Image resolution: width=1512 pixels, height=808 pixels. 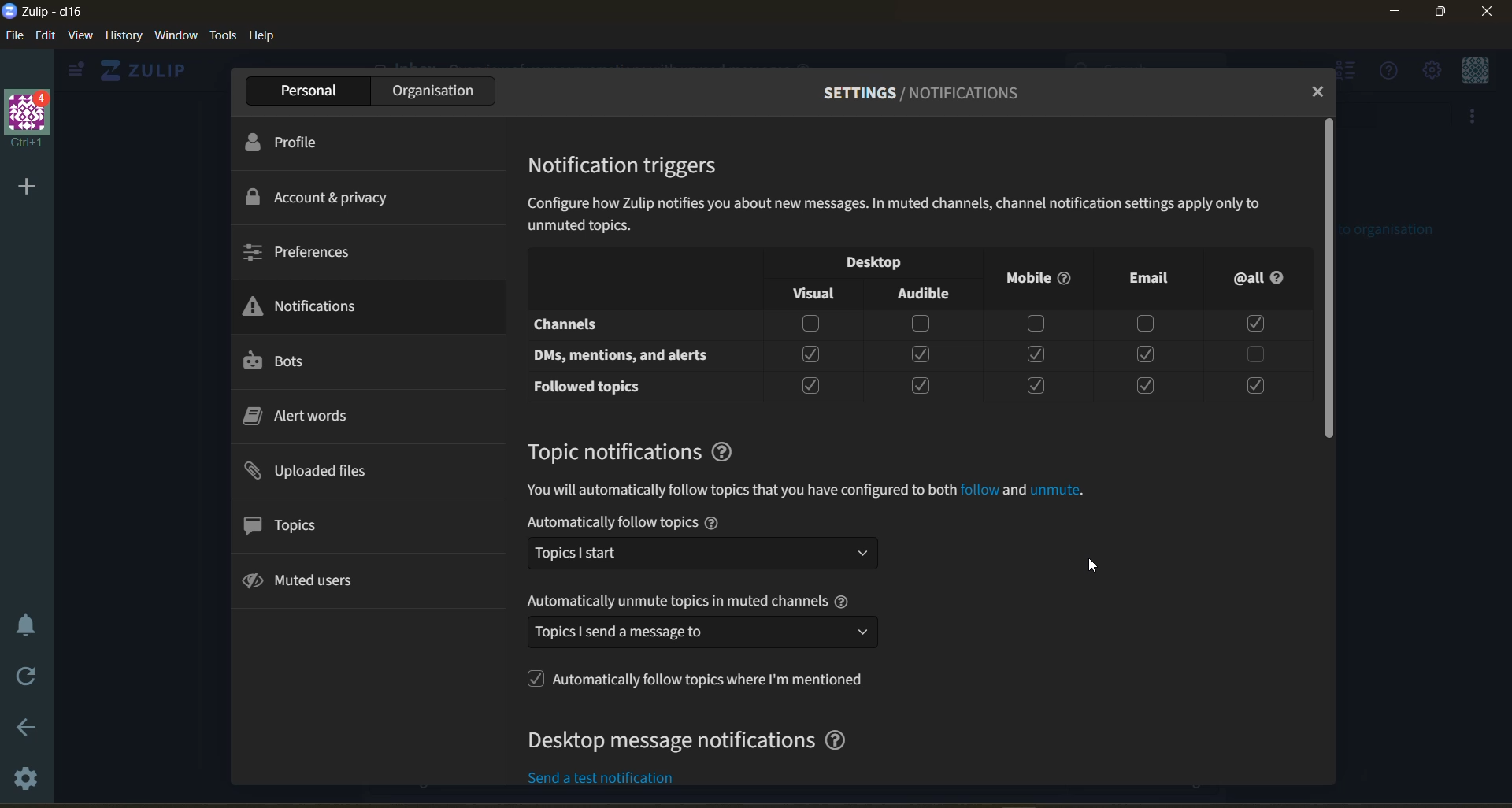 What do you see at coordinates (289, 361) in the screenshot?
I see `bots` at bounding box center [289, 361].